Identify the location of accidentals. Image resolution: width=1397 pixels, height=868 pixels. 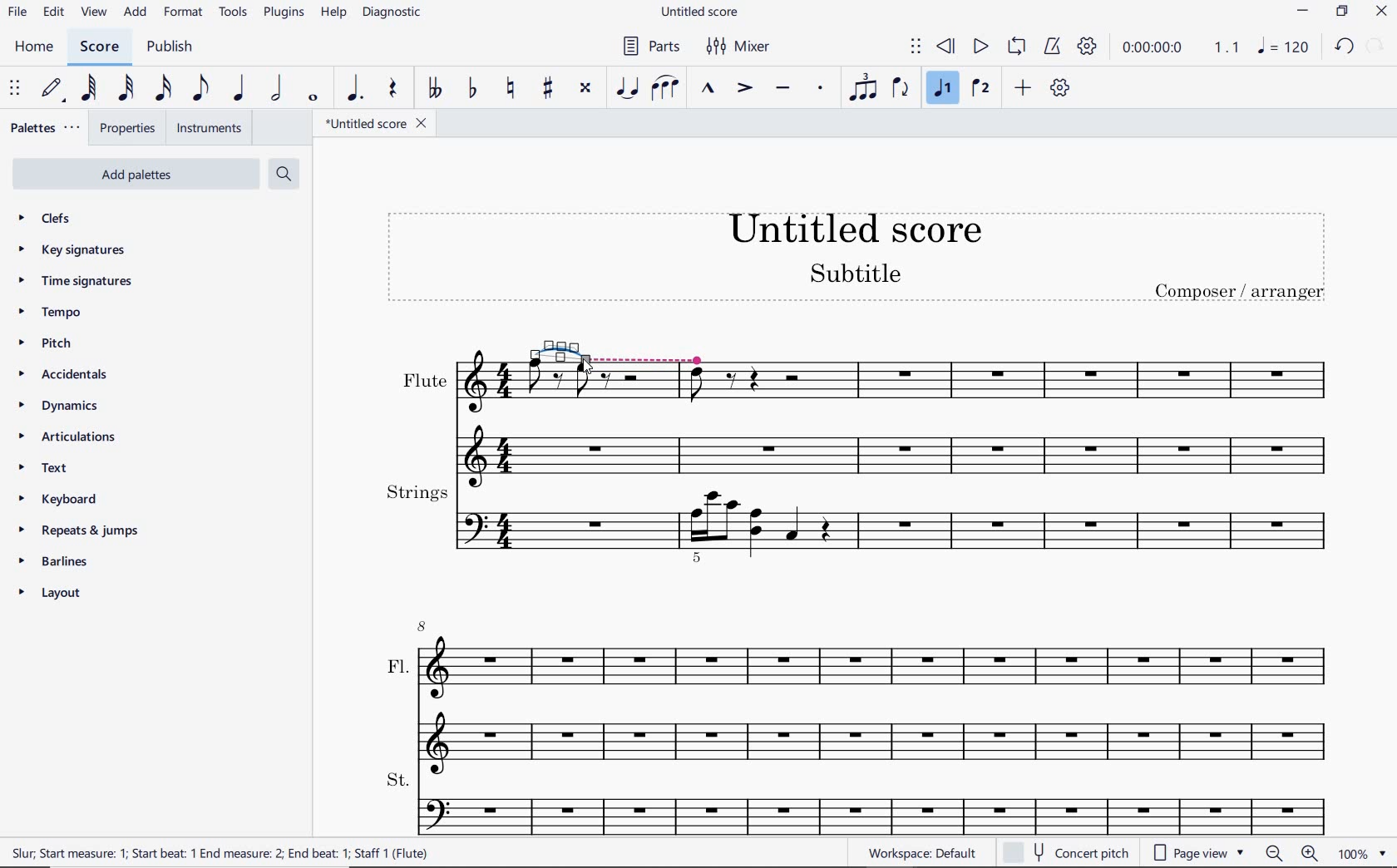
(62, 376).